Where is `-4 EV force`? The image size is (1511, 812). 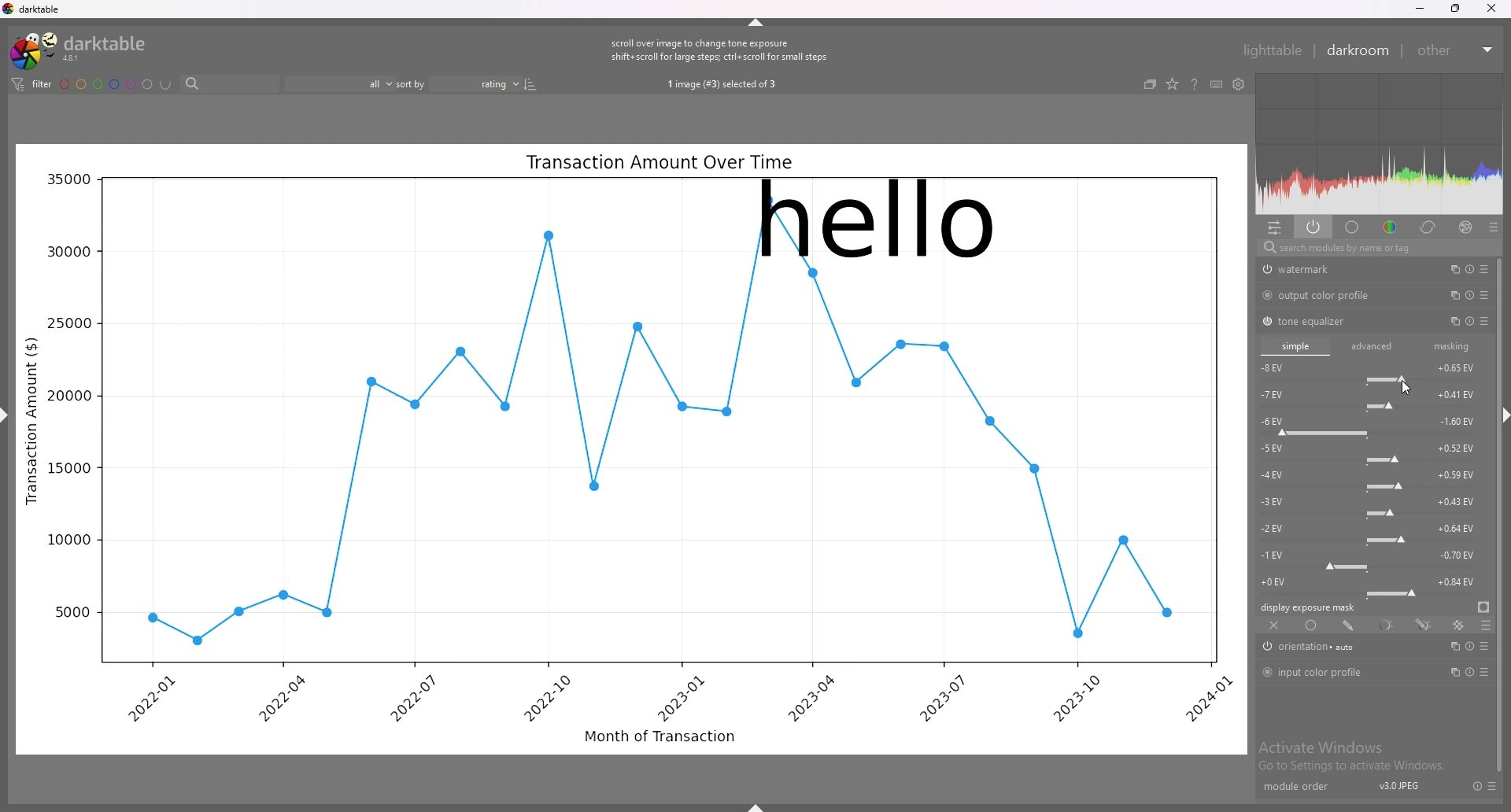 -4 EV force is located at coordinates (1371, 479).